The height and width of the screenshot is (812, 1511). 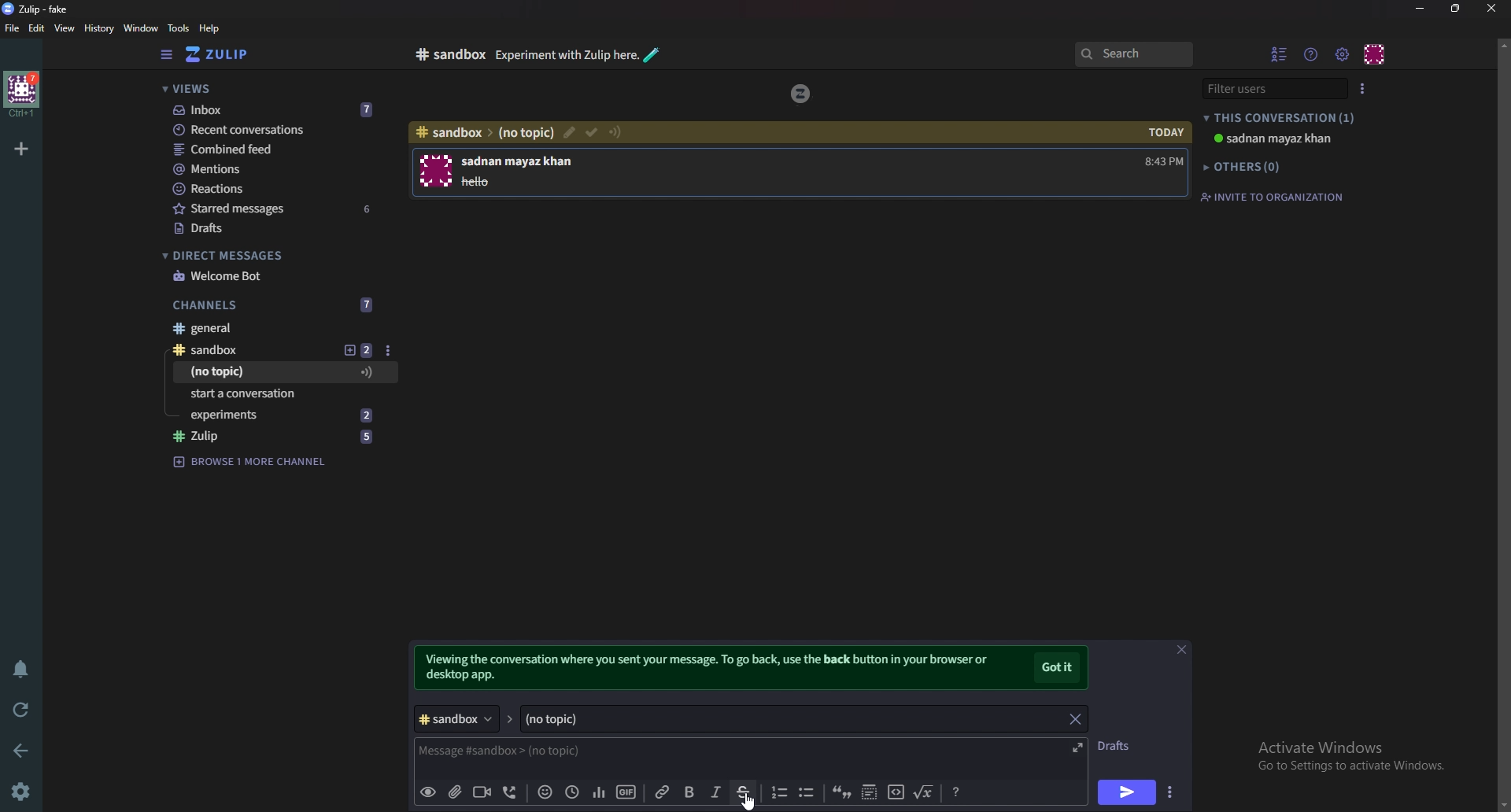 I want to click on Got it, so click(x=1056, y=669).